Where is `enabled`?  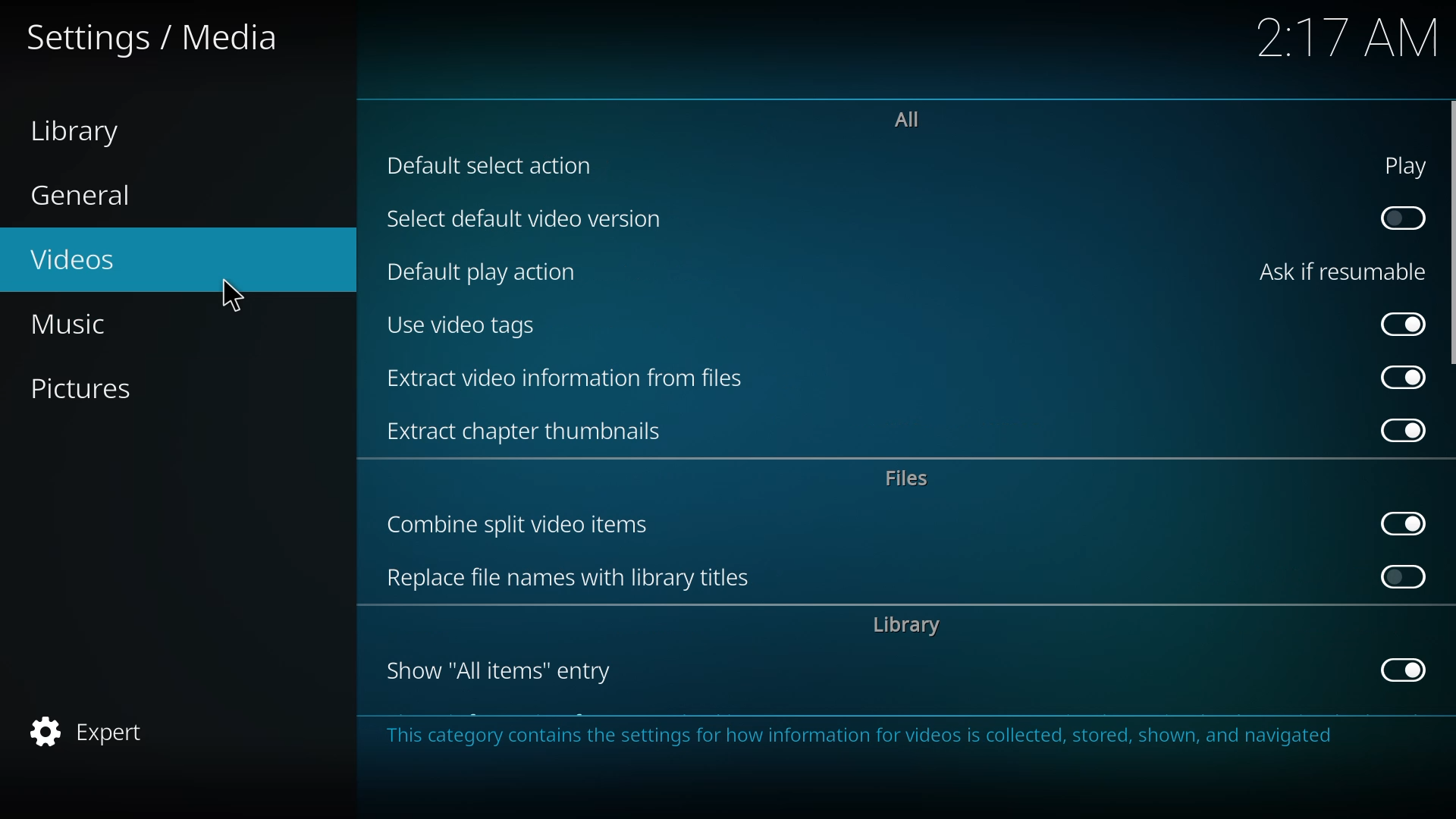 enabled is located at coordinates (1394, 322).